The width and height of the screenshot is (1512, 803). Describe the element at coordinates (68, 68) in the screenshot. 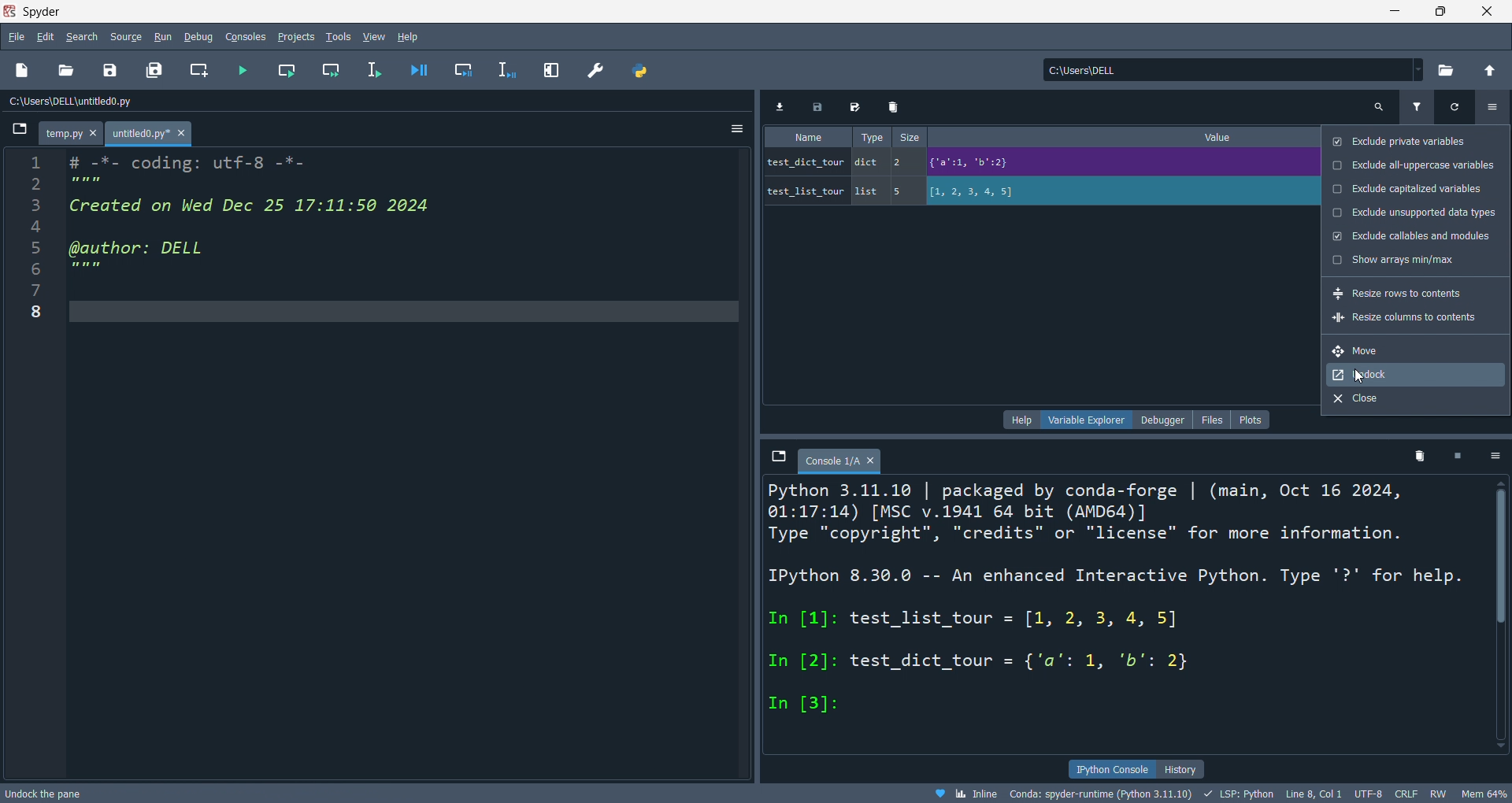

I see `open file` at that location.